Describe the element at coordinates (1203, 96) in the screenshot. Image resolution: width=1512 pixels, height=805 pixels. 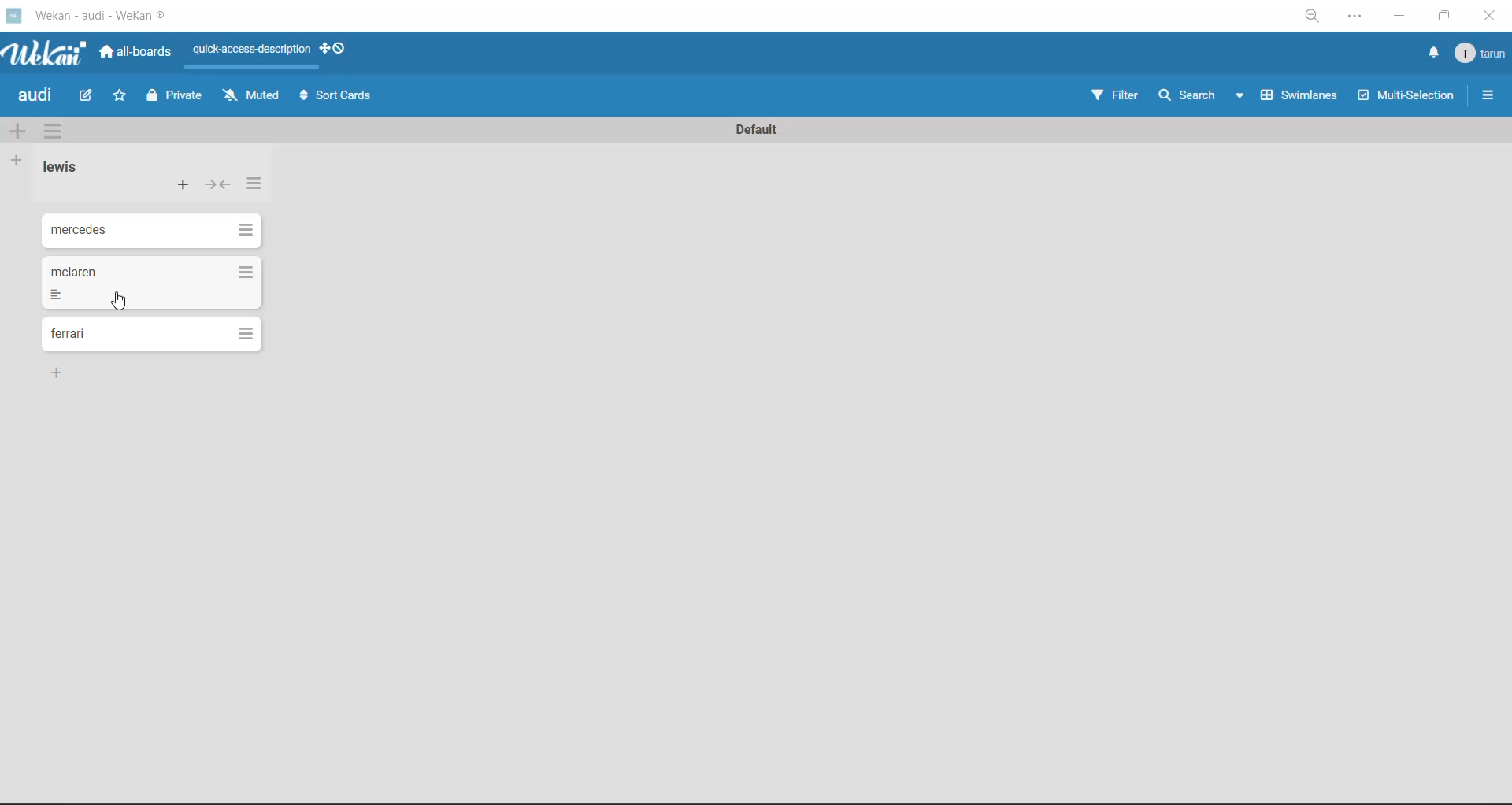
I see `search` at that location.